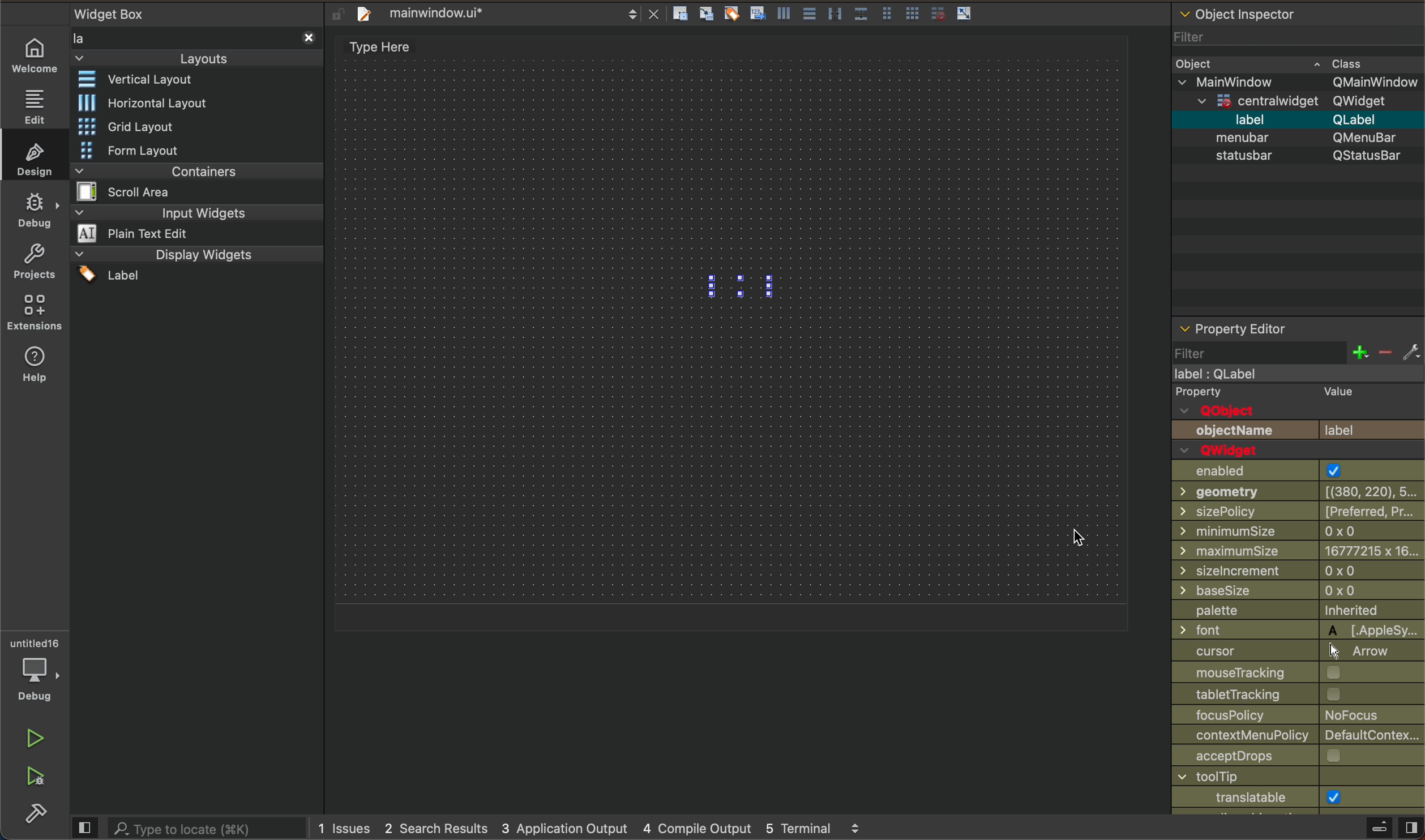 The width and height of the screenshot is (1425, 840). I want to click on cursor, so click(1080, 542).